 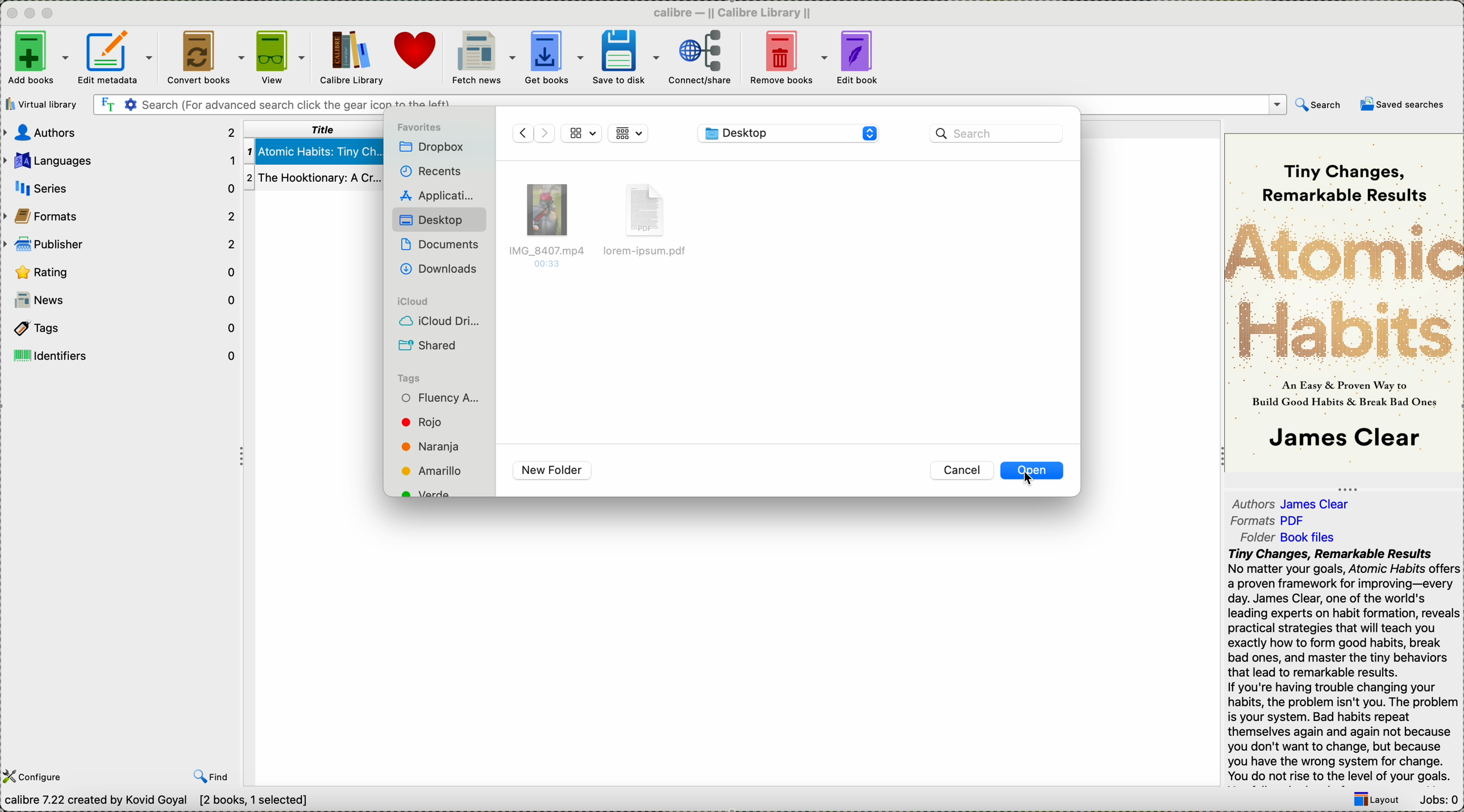 I want to click on news, so click(x=126, y=300).